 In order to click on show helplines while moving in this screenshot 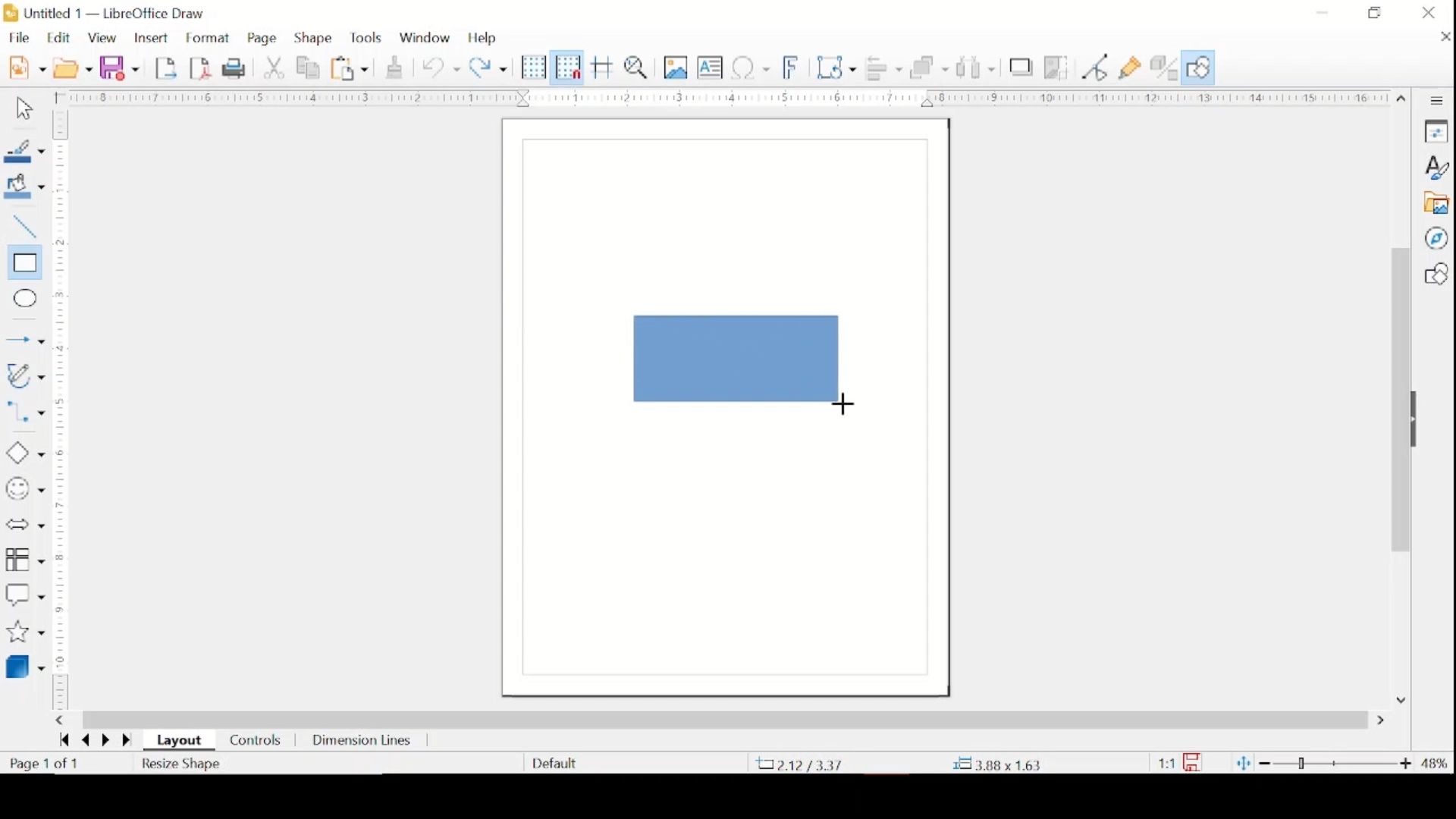, I will do `click(603, 67)`.